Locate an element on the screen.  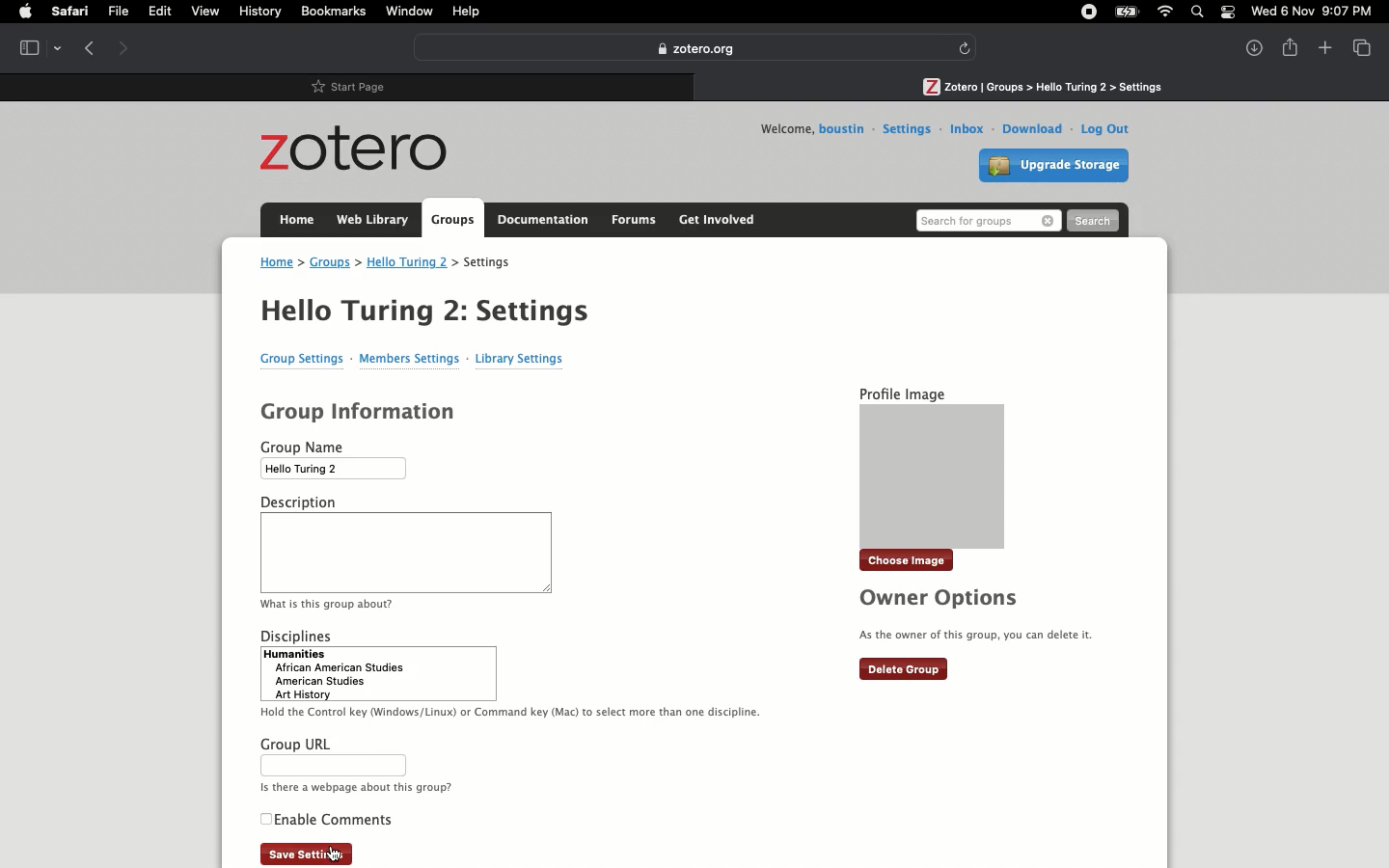
Date/time is located at coordinates (1316, 12).